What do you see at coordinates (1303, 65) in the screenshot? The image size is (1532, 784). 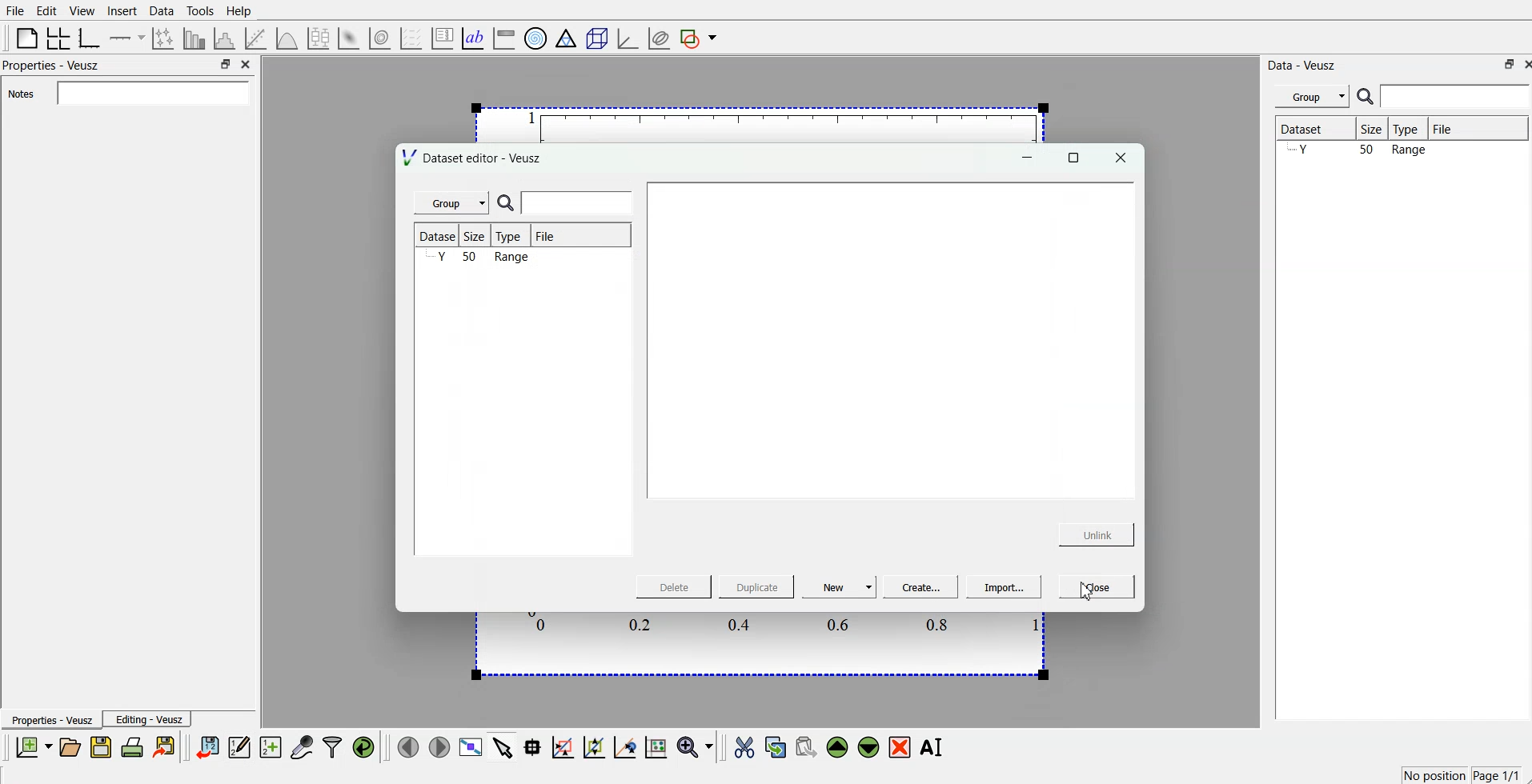 I see `Data - Veusz` at bounding box center [1303, 65].